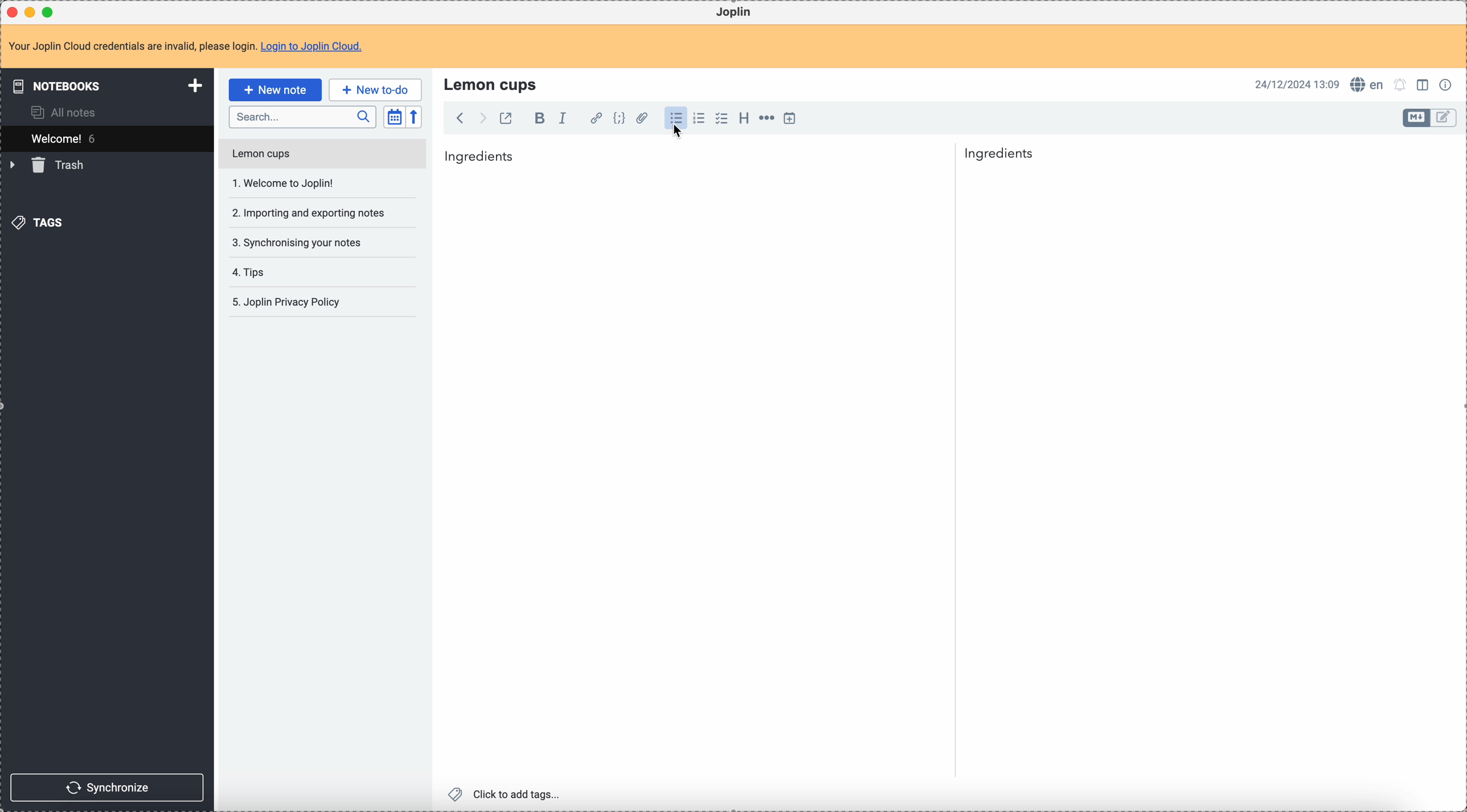  What do you see at coordinates (289, 302) in the screenshot?
I see `Joplin privacy policy note` at bounding box center [289, 302].